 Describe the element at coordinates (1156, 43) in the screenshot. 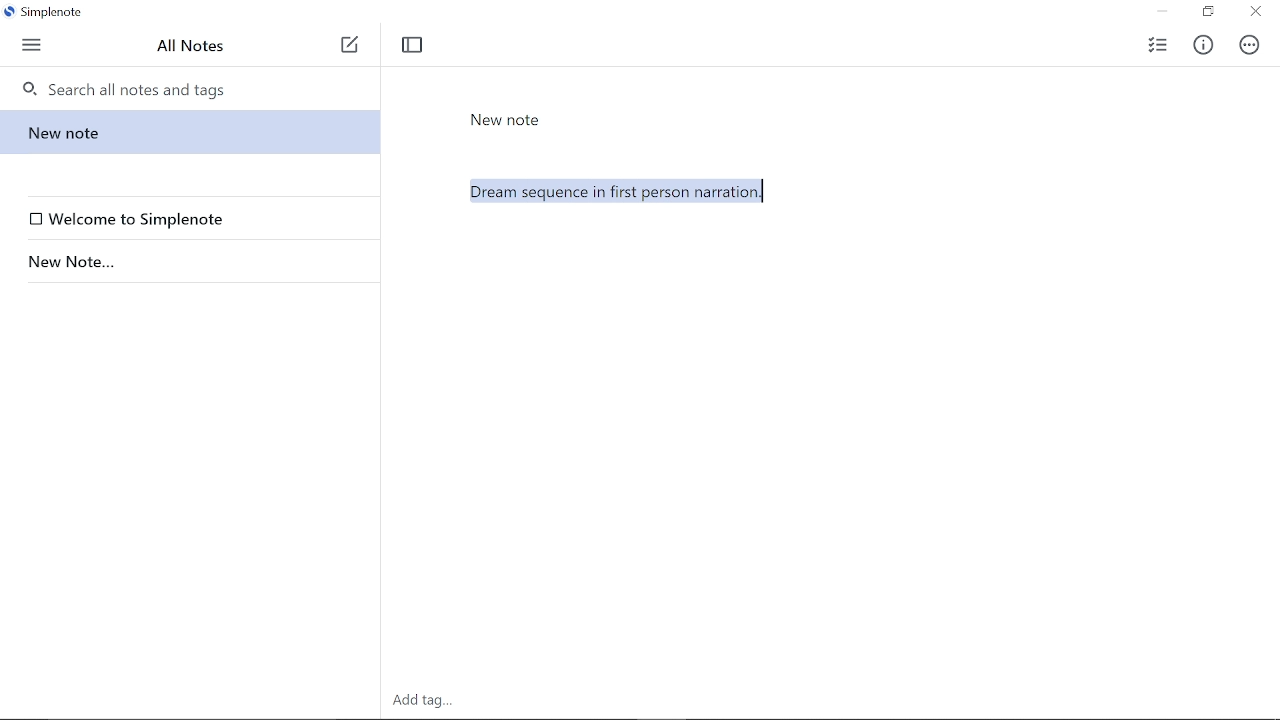

I see `Add checklist` at that location.